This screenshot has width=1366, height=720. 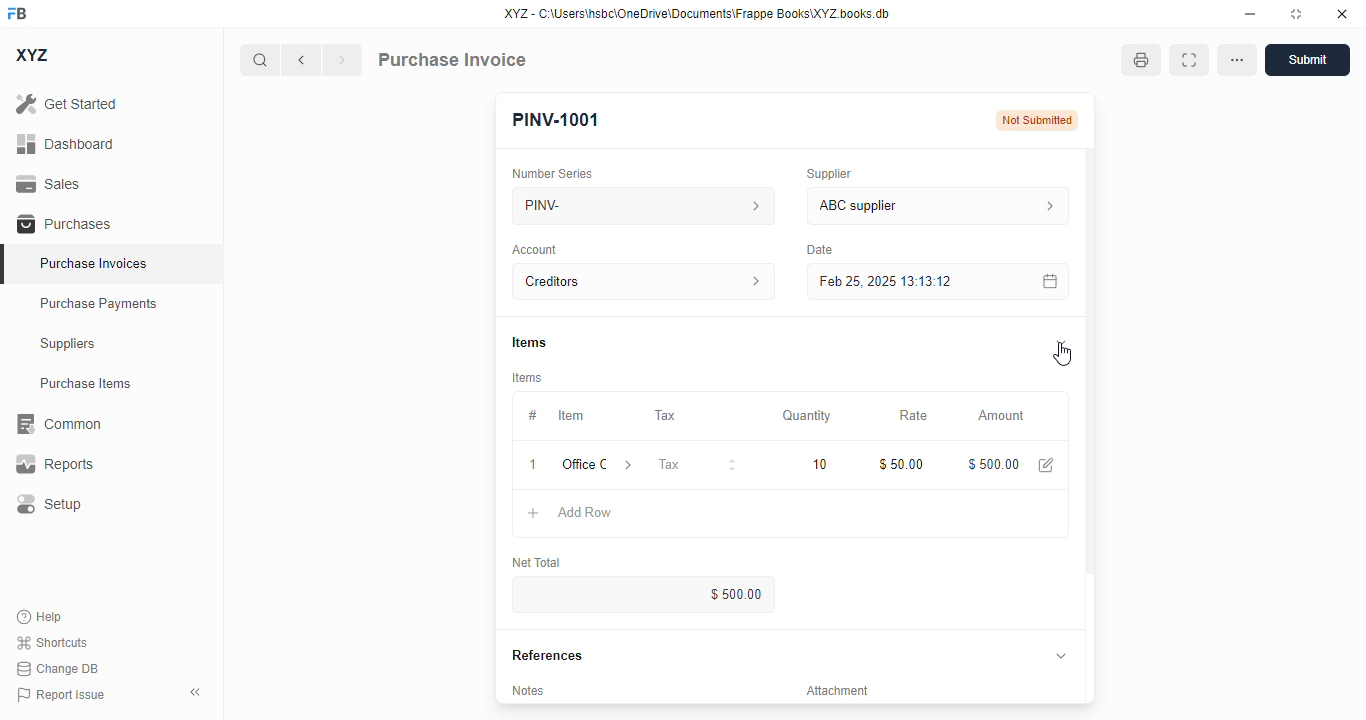 What do you see at coordinates (903, 464) in the screenshot?
I see `$50.00` at bounding box center [903, 464].